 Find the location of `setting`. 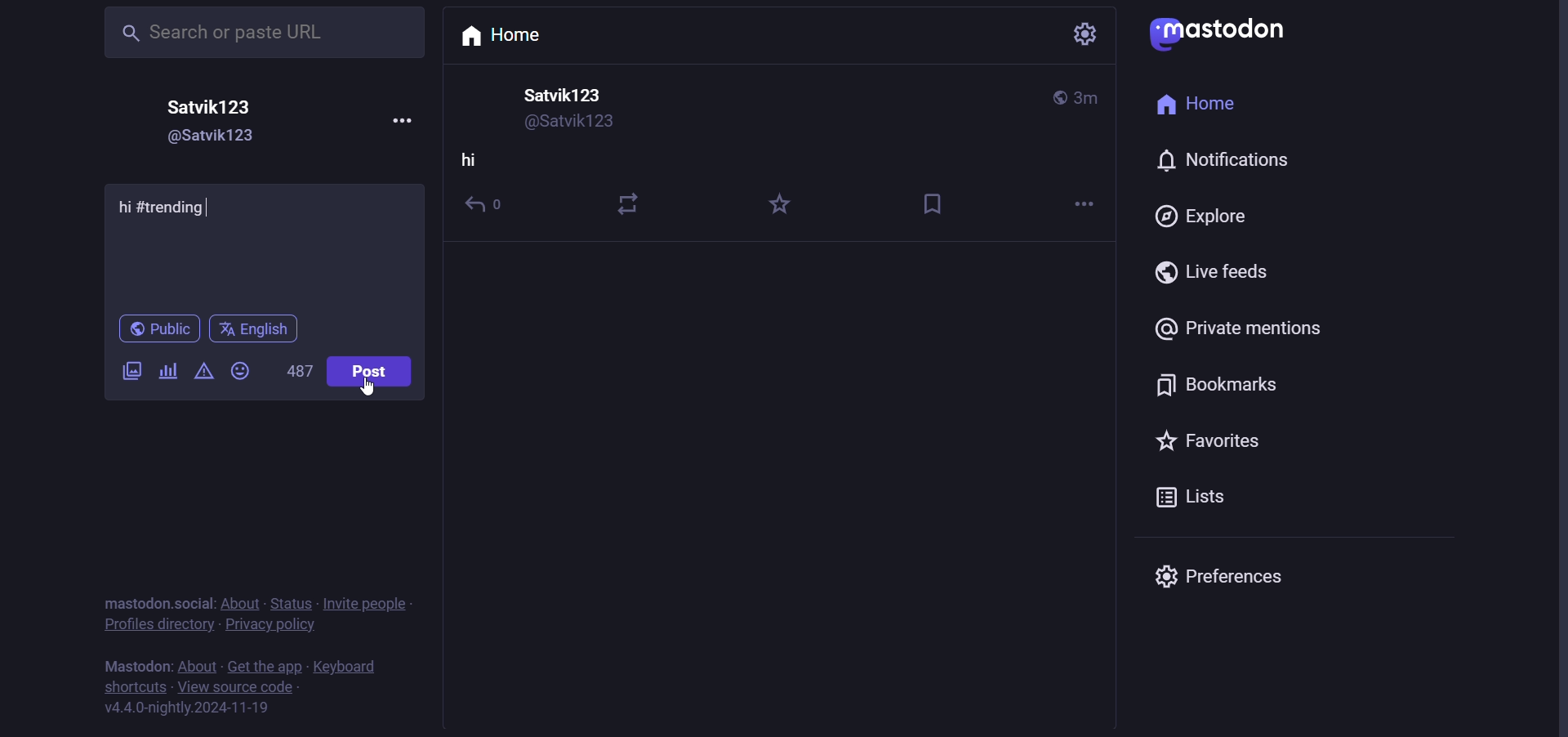

setting is located at coordinates (1081, 38).